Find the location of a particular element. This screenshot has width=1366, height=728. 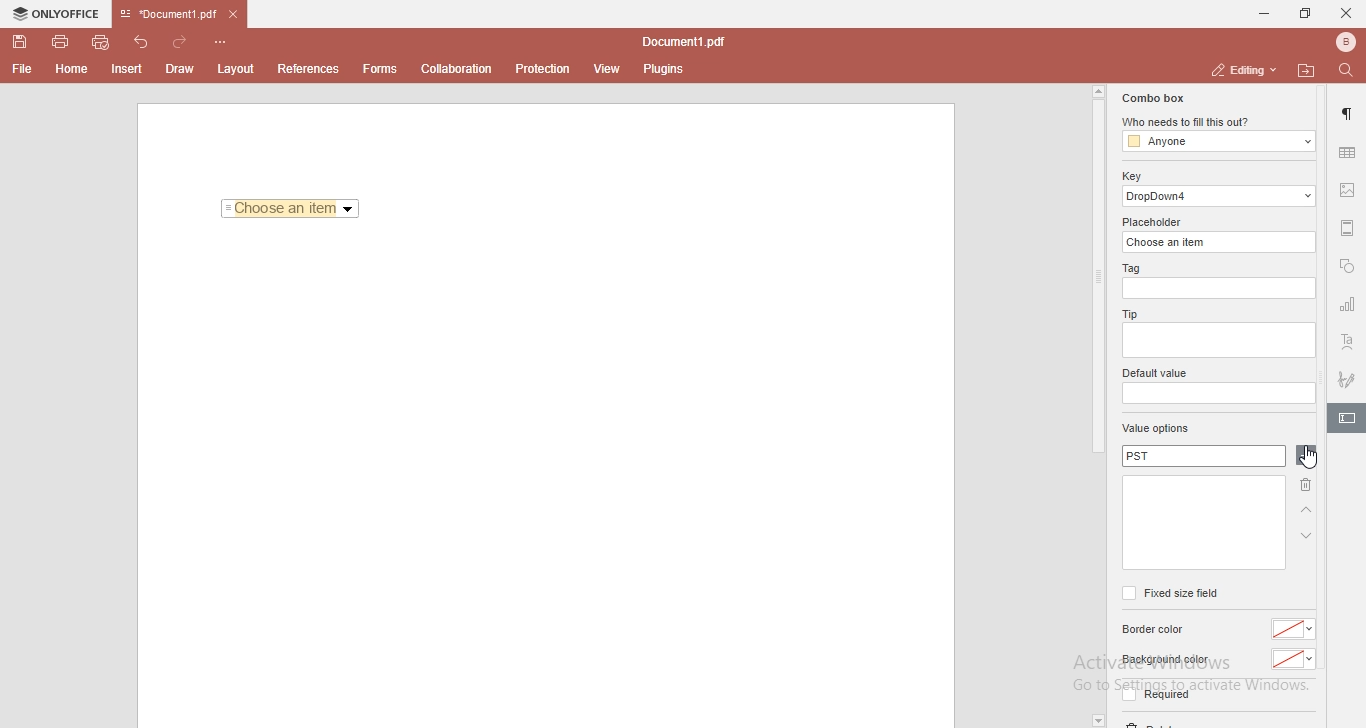

tip is located at coordinates (1127, 313).